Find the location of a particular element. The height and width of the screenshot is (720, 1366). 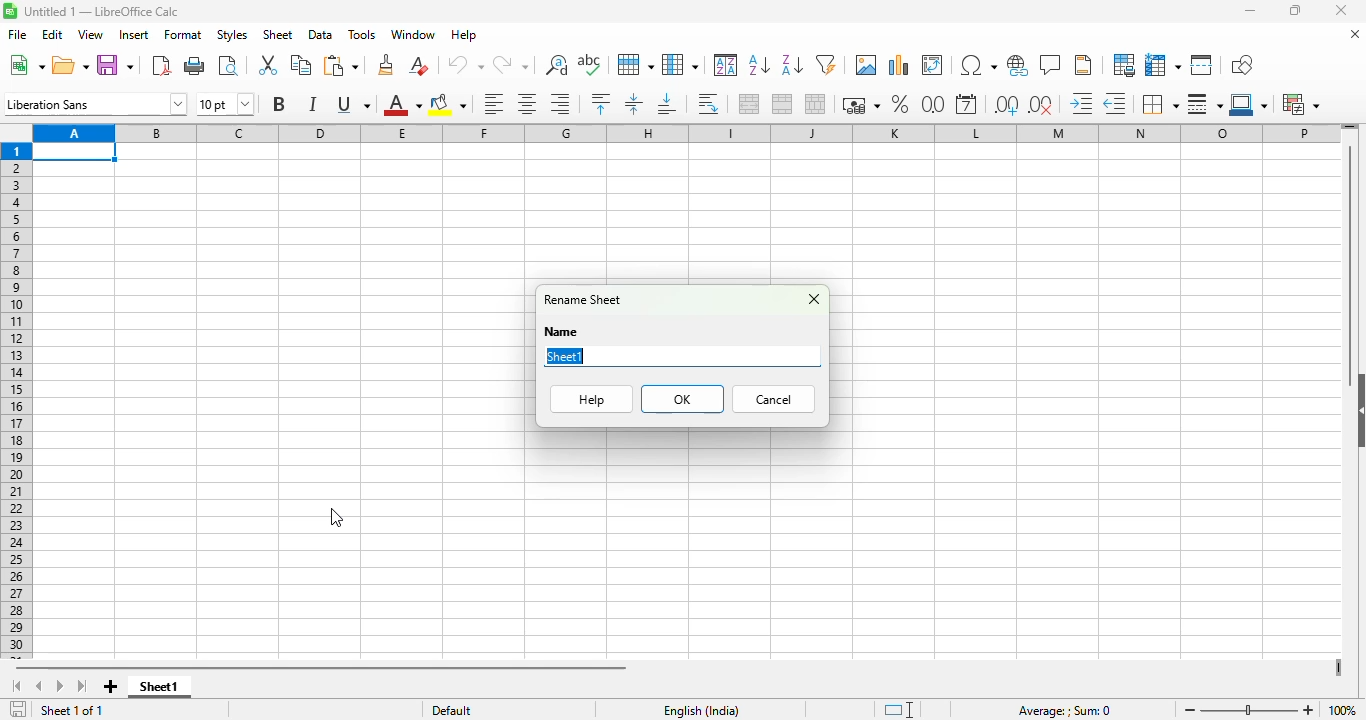

scroll to last sheet is located at coordinates (82, 687).